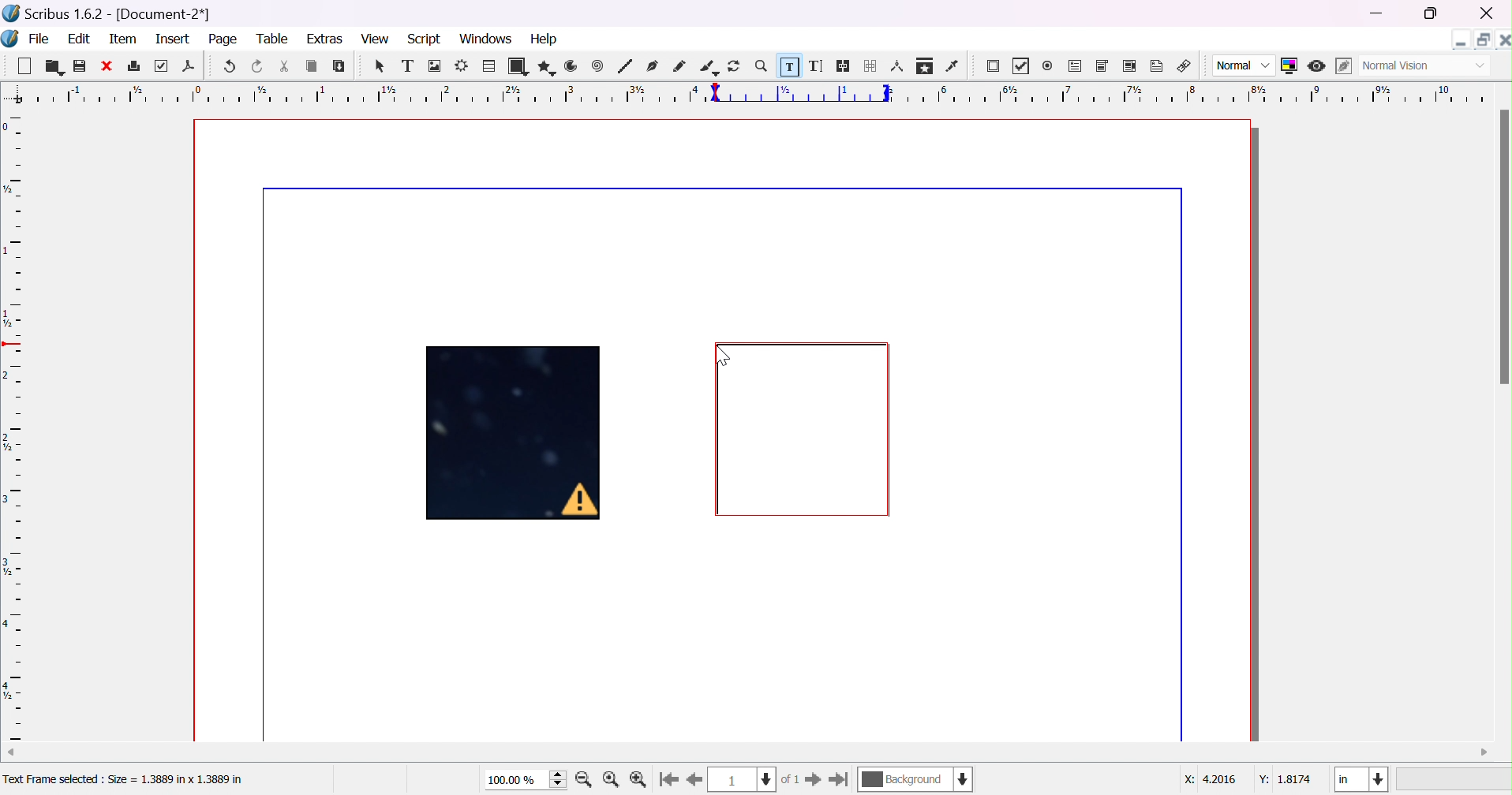 The width and height of the screenshot is (1512, 795). What do you see at coordinates (612, 780) in the screenshot?
I see `zoom to 100%` at bounding box center [612, 780].